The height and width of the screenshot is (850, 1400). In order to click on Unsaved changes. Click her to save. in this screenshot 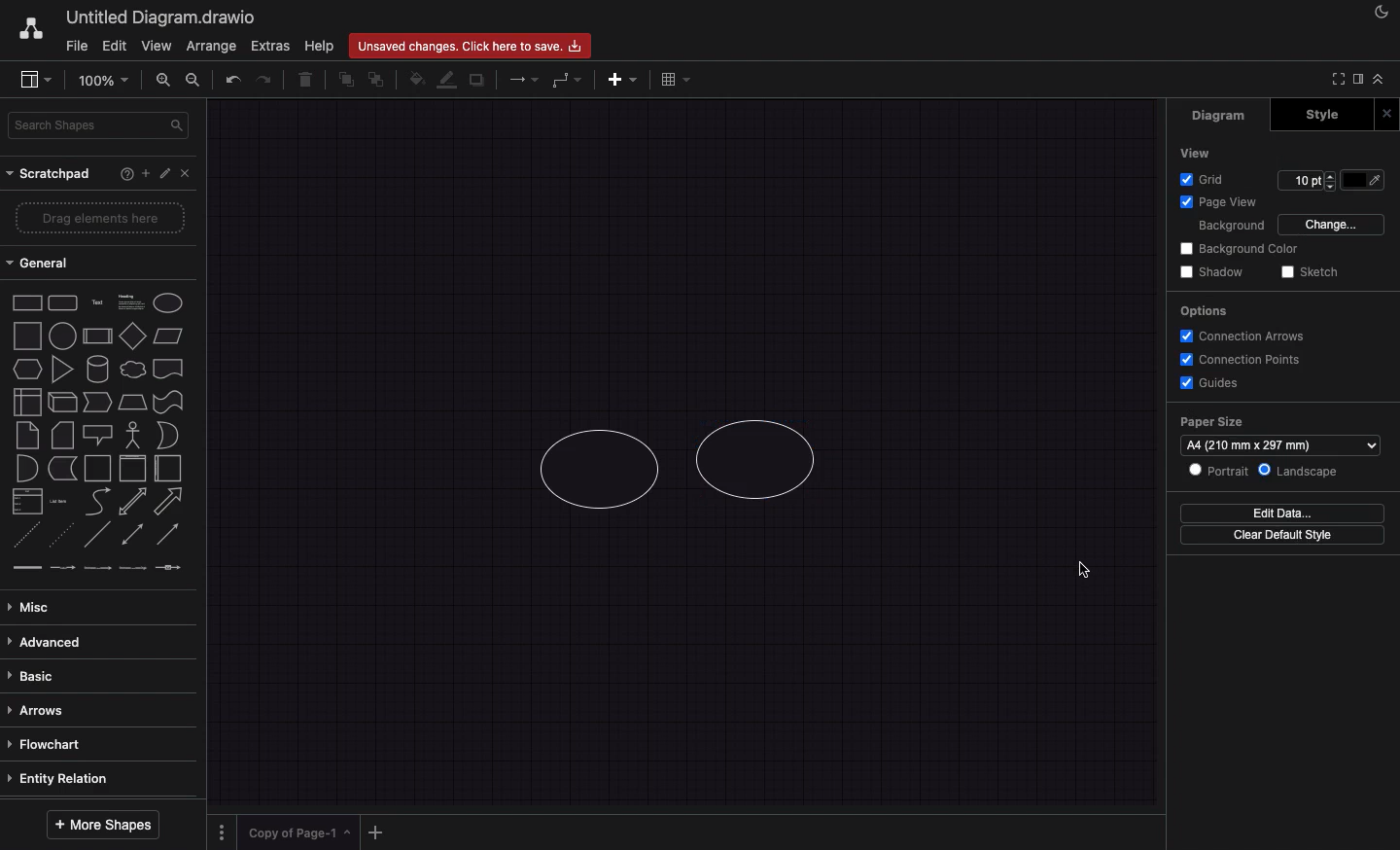, I will do `click(472, 45)`.